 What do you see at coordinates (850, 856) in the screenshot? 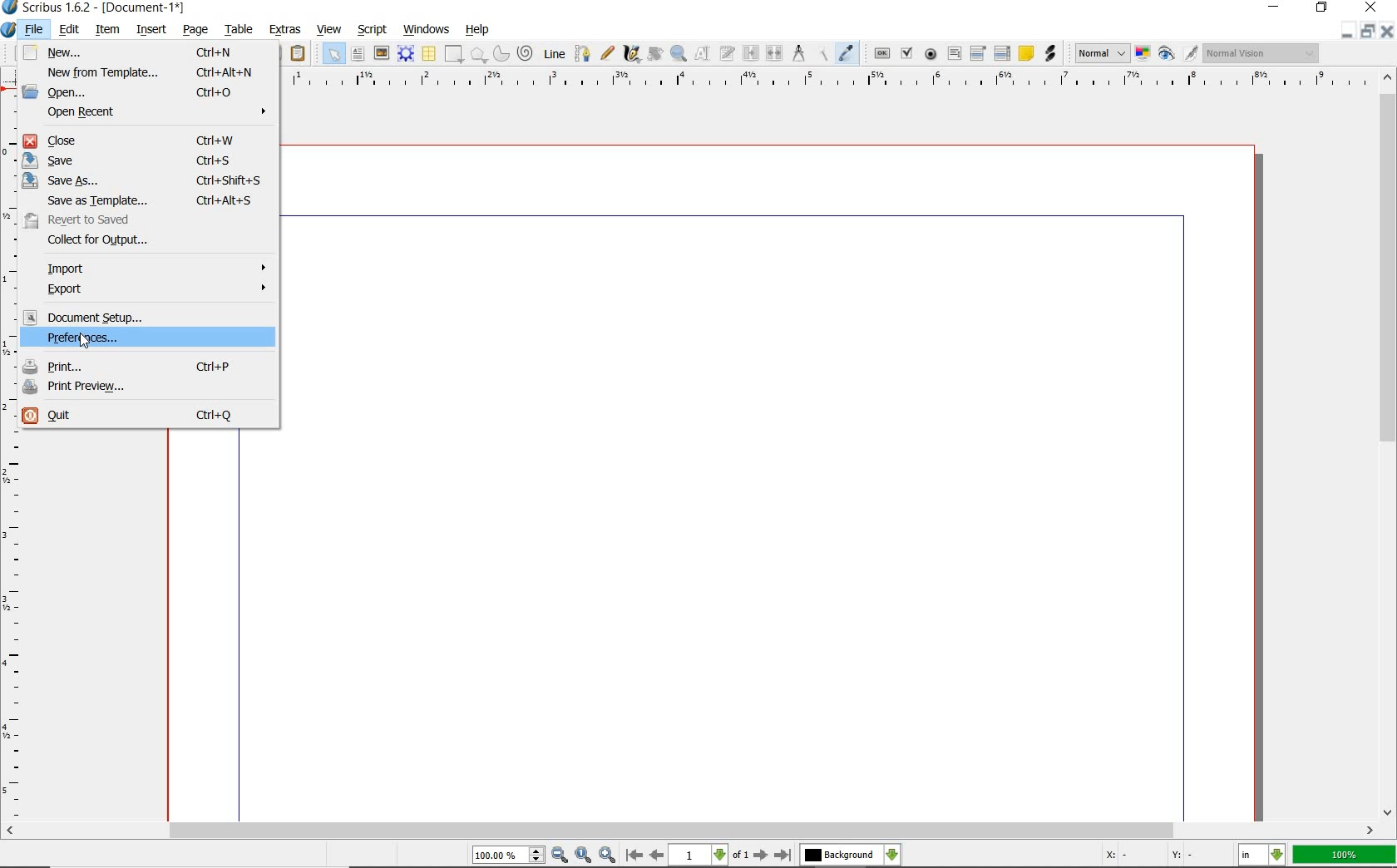
I see `select the current layer` at bounding box center [850, 856].